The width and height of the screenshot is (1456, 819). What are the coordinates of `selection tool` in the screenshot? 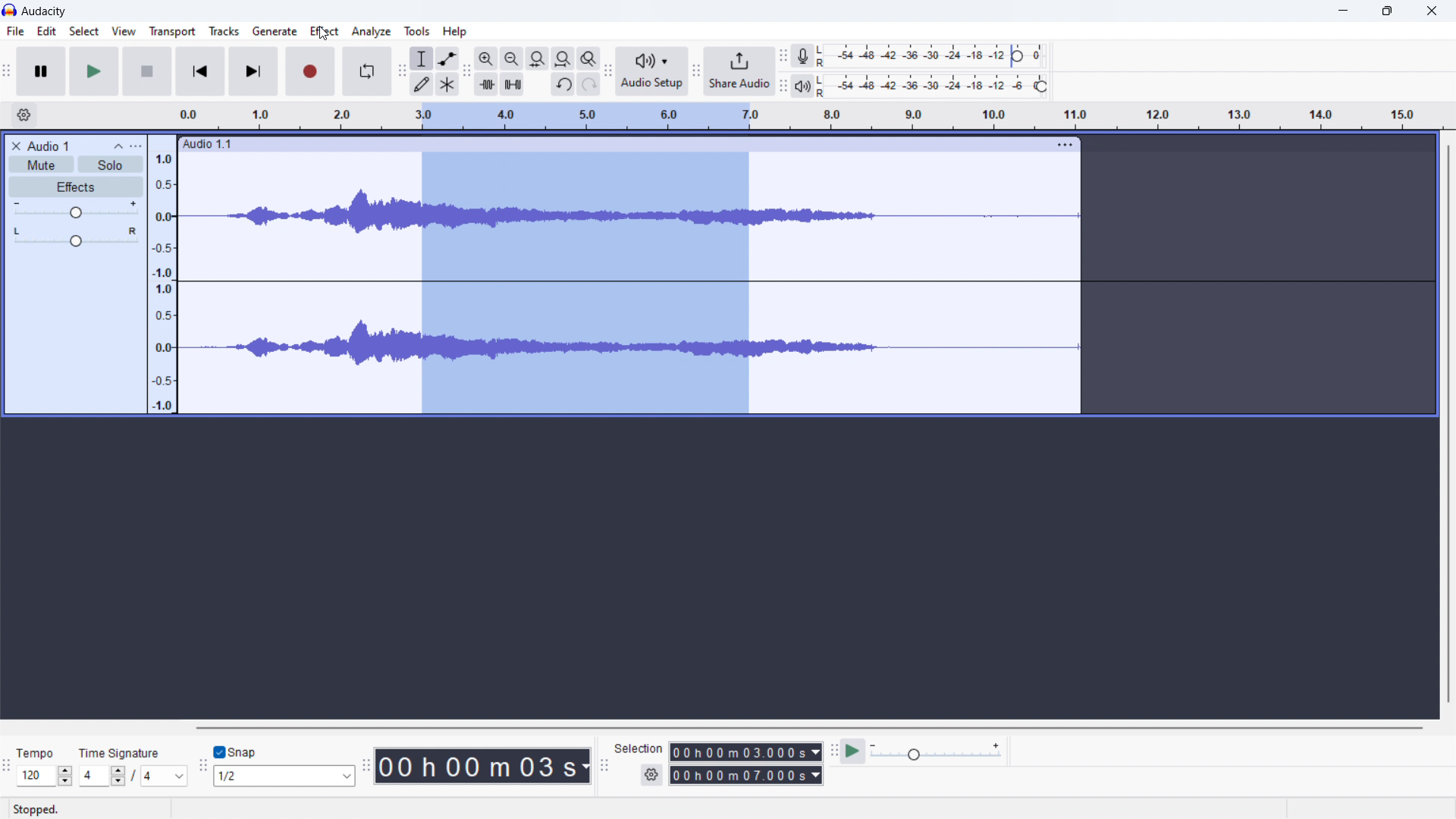 It's located at (423, 58).